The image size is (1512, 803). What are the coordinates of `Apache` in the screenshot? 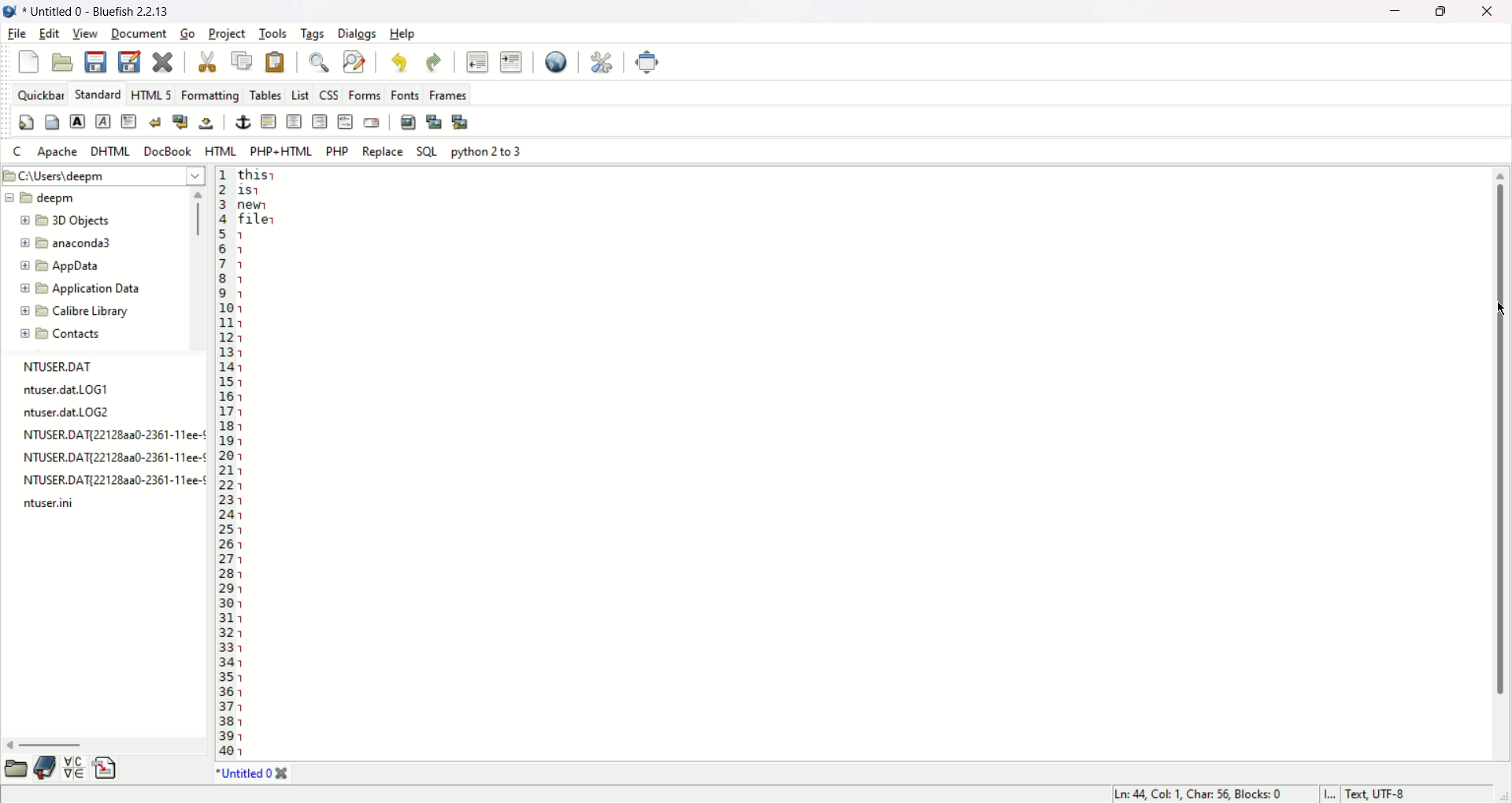 It's located at (57, 152).